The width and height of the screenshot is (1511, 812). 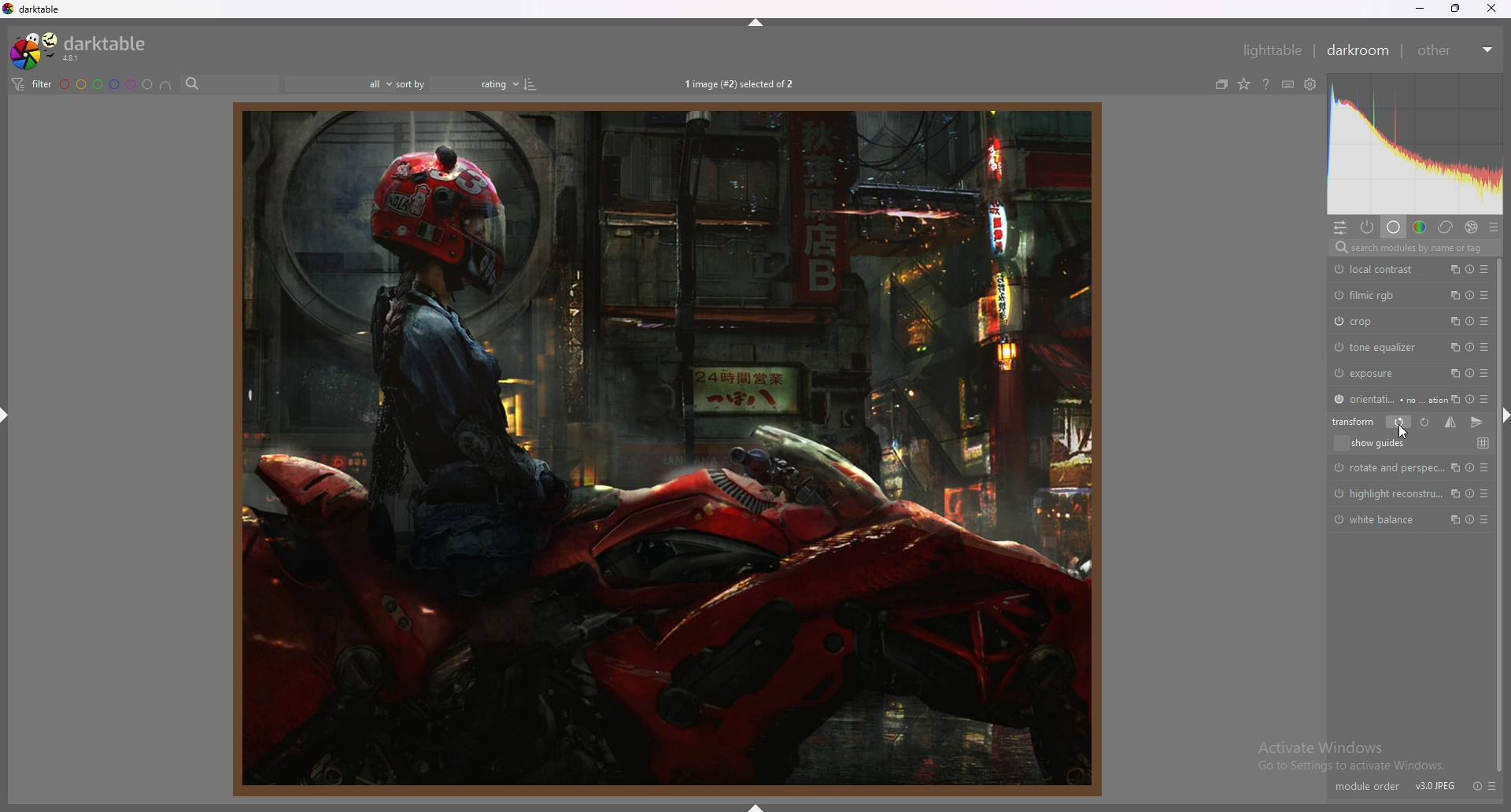 I want to click on flip horizontally, so click(x=1450, y=422).